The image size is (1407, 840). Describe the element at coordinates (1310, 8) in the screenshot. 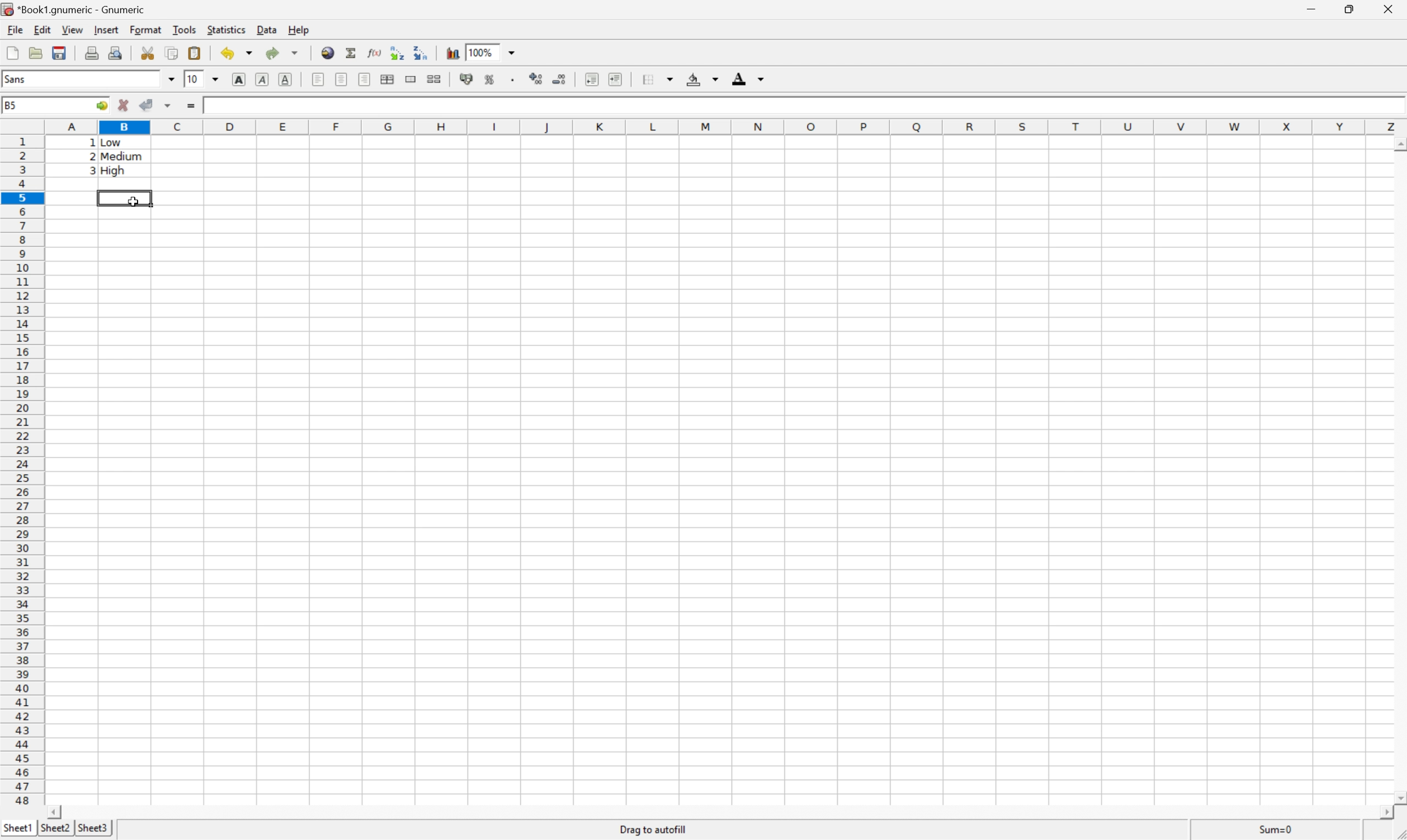

I see `Minimize` at that location.